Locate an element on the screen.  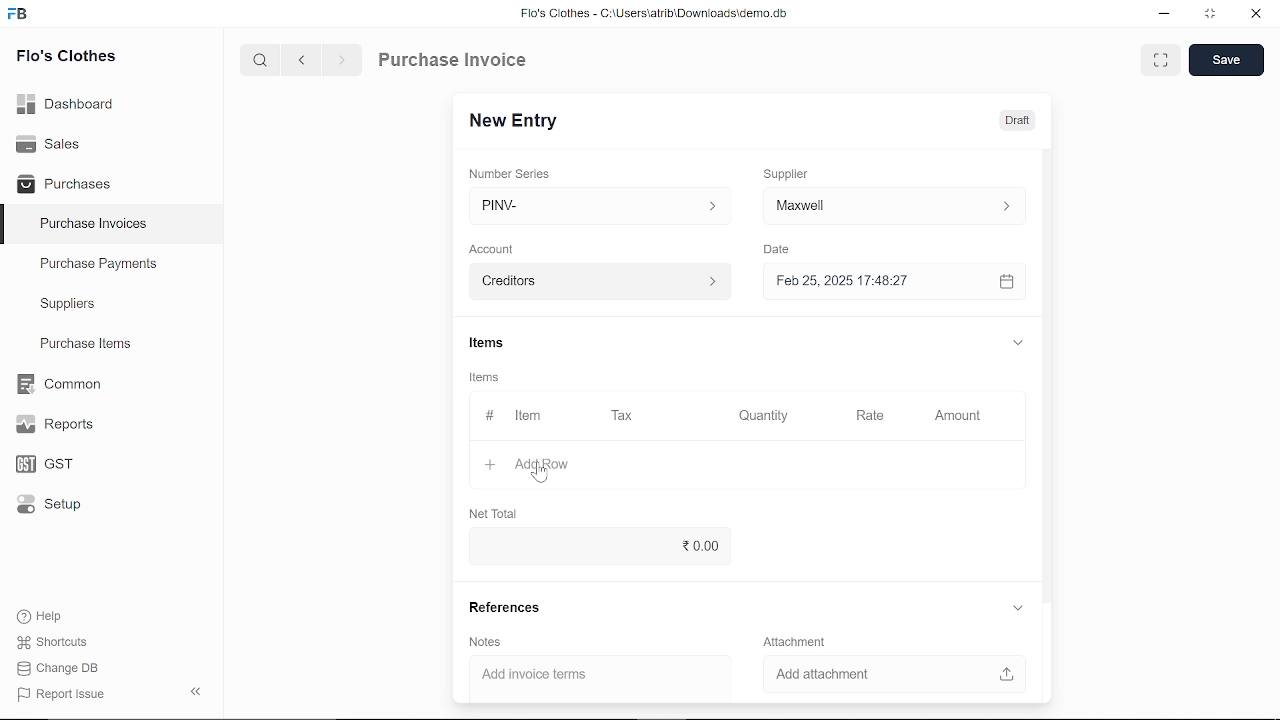
Tax is located at coordinates (626, 416).